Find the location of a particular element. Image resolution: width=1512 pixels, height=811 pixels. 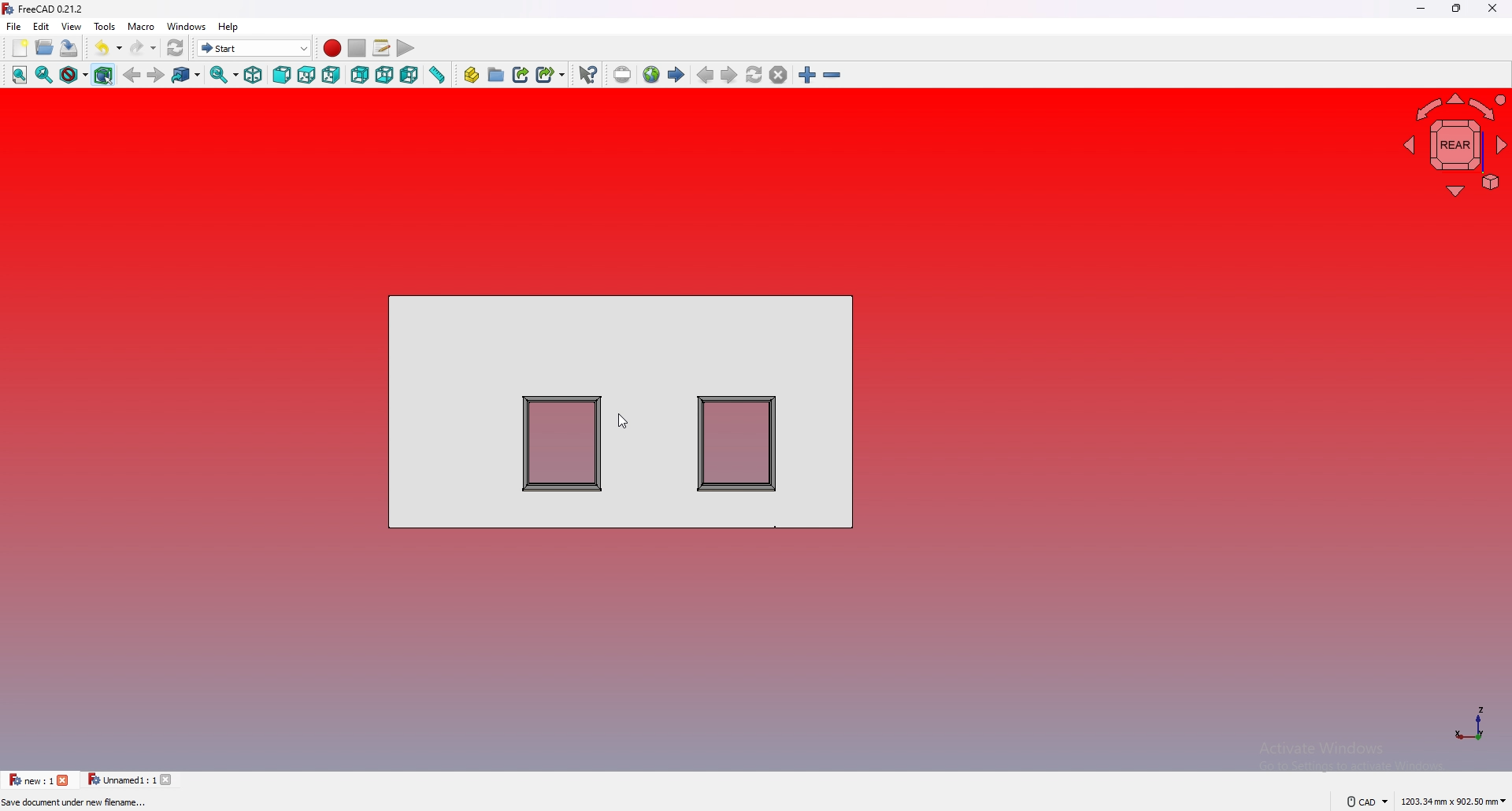

create part is located at coordinates (472, 76).